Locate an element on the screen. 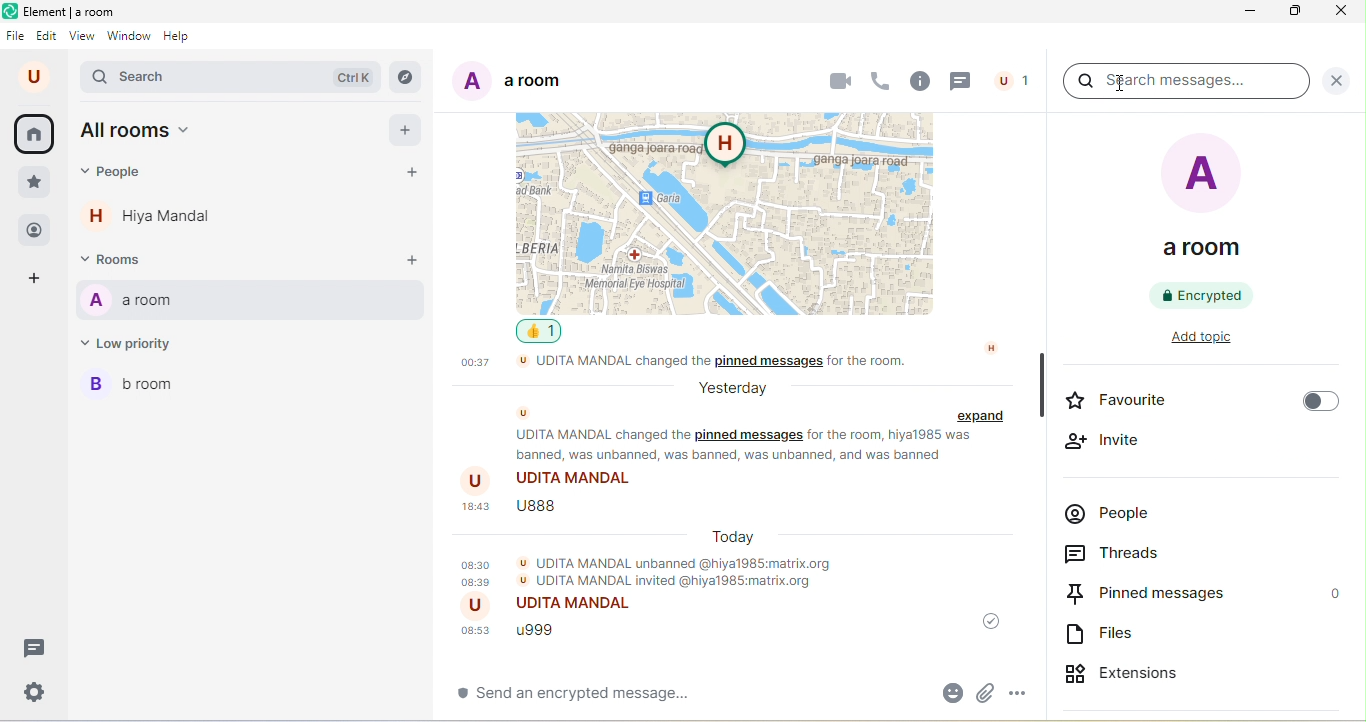 This screenshot has height=722, width=1366. room info is located at coordinates (919, 82).